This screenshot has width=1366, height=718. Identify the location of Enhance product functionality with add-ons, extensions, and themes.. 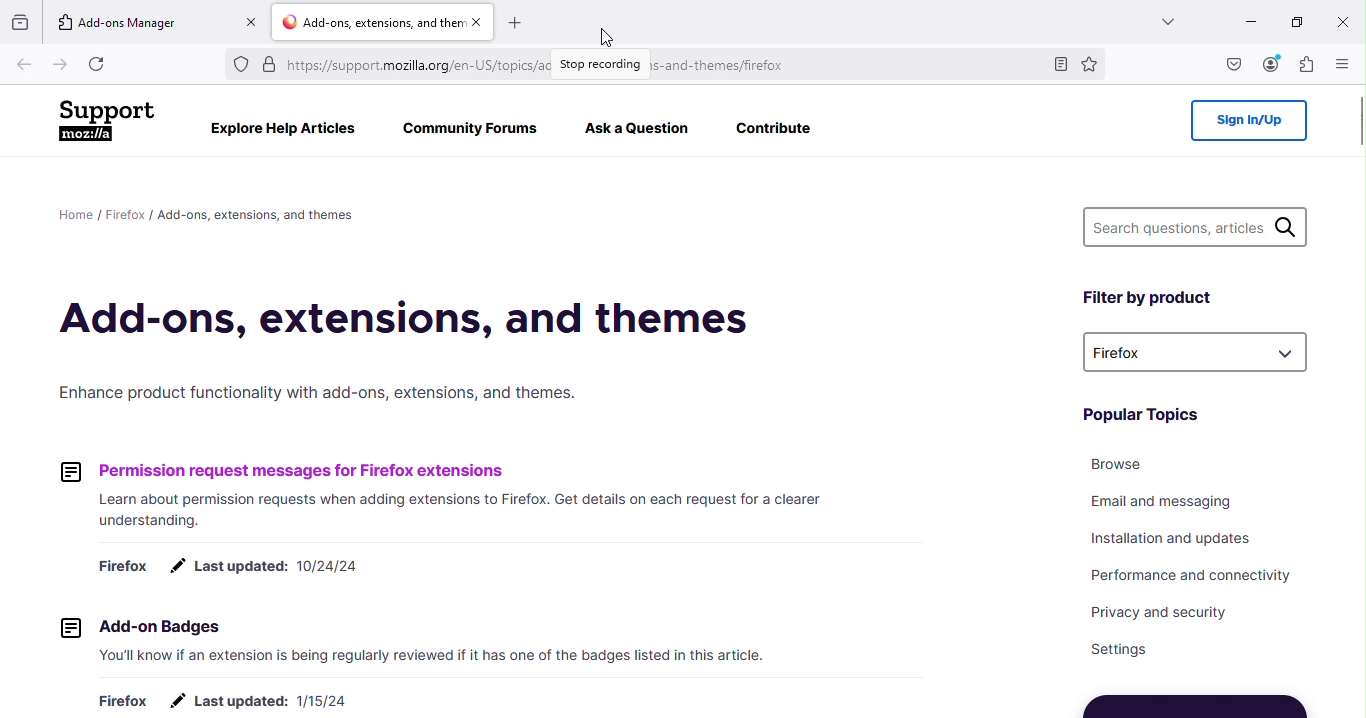
(317, 394).